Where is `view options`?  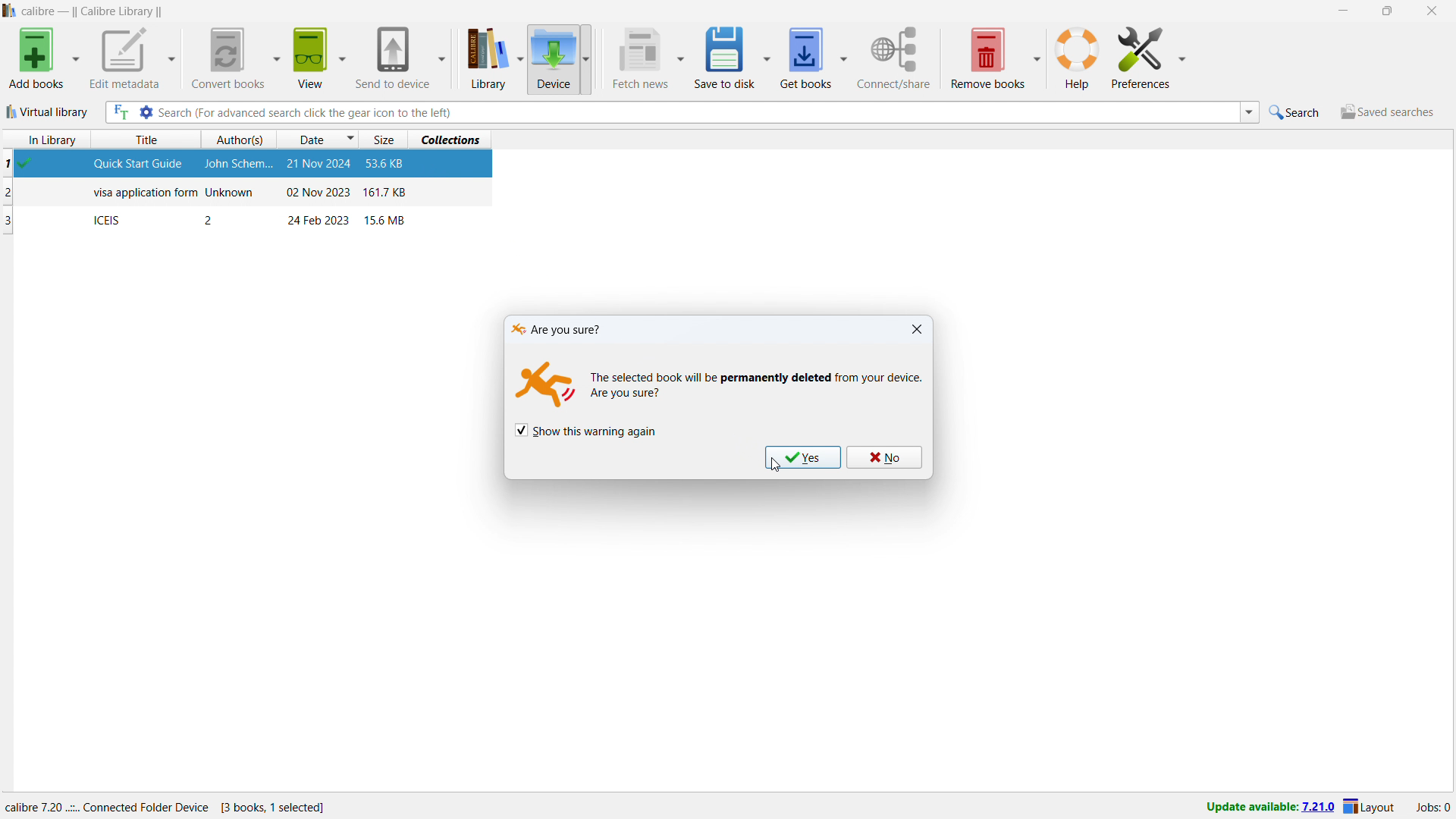 view options is located at coordinates (341, 55).